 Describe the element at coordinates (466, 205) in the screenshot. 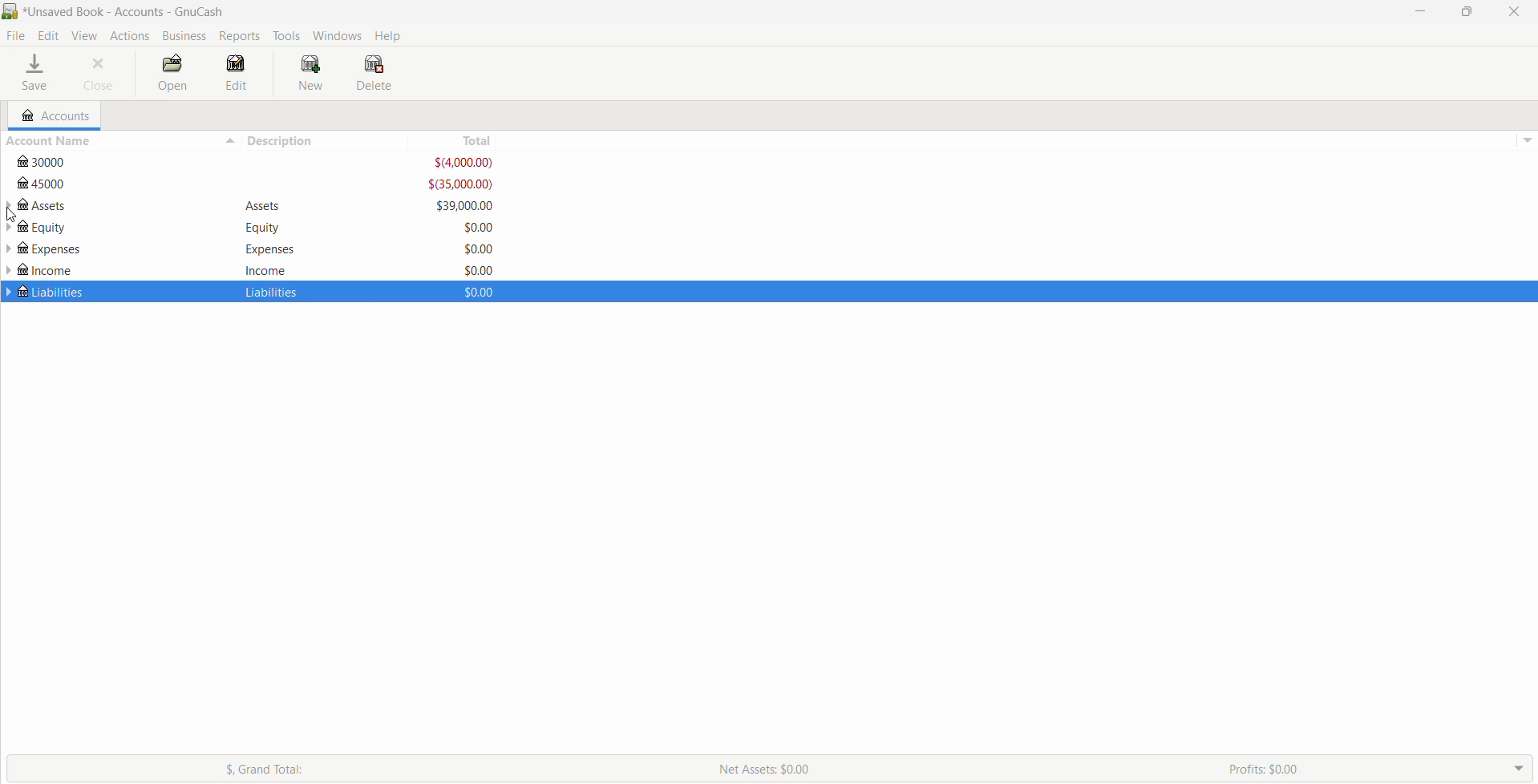

I see `$39,000.00` at that location.